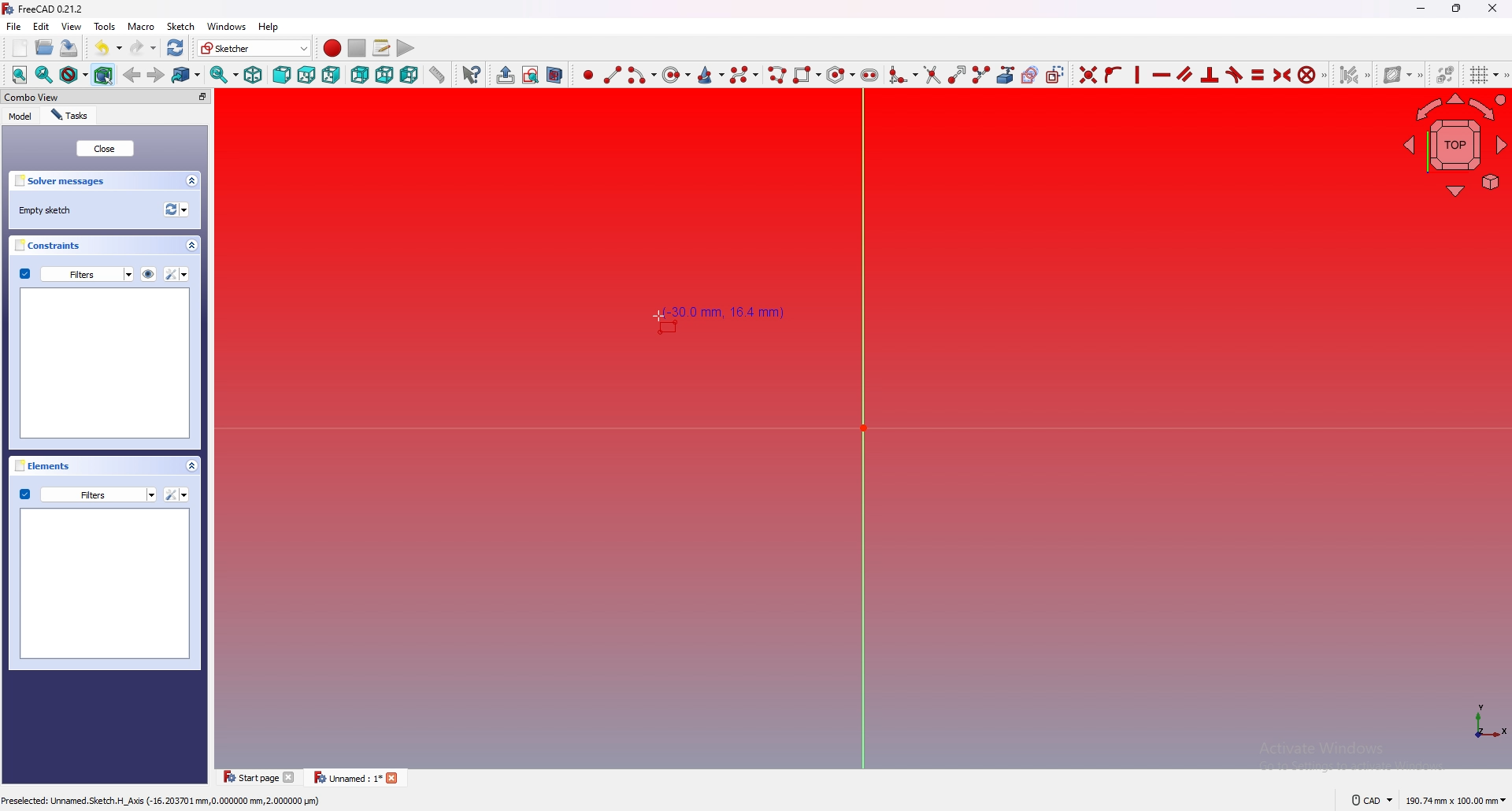  What do you see at coordinates (202, 97) in the screenshot?
I see `pop out` at bounding box center [202, 97].